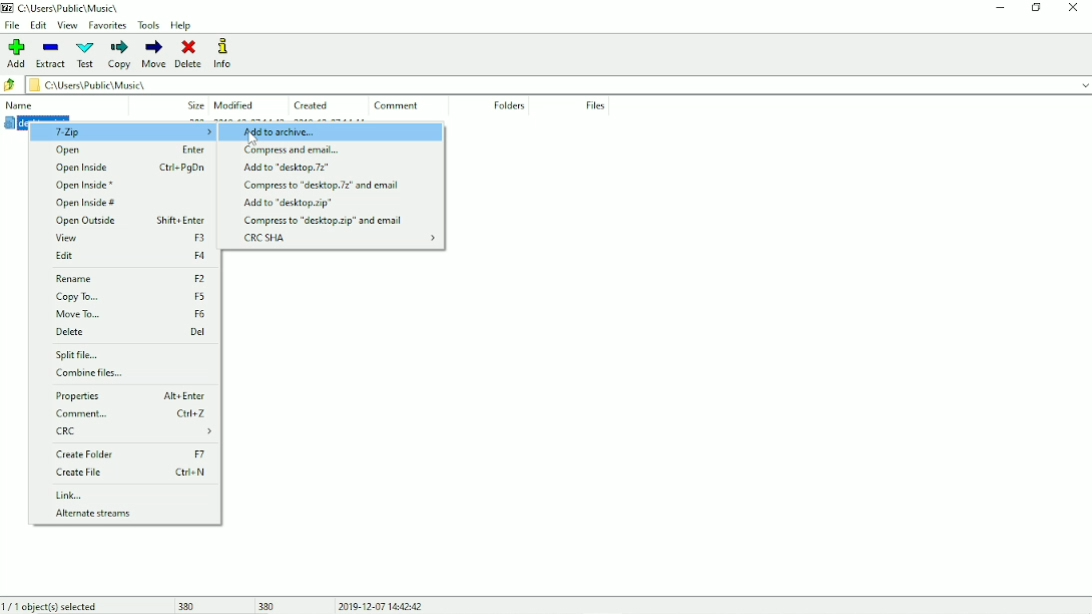  What do you see at coordinates (53, 605) in the screenshot?
I see `1/1 object(s) selected` at bounding box center [53, 605].